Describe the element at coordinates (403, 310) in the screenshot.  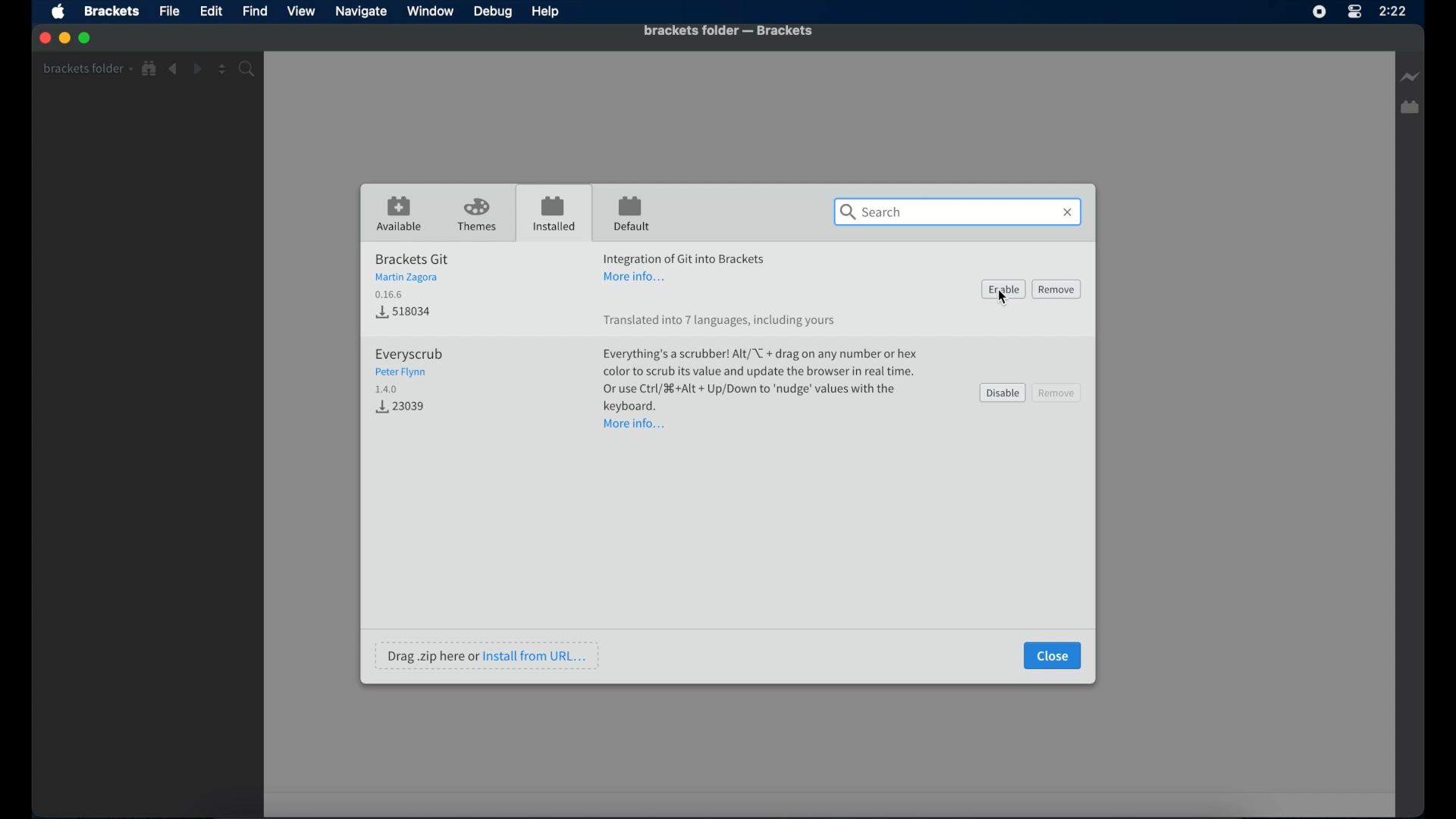
I see `518034` at that location.